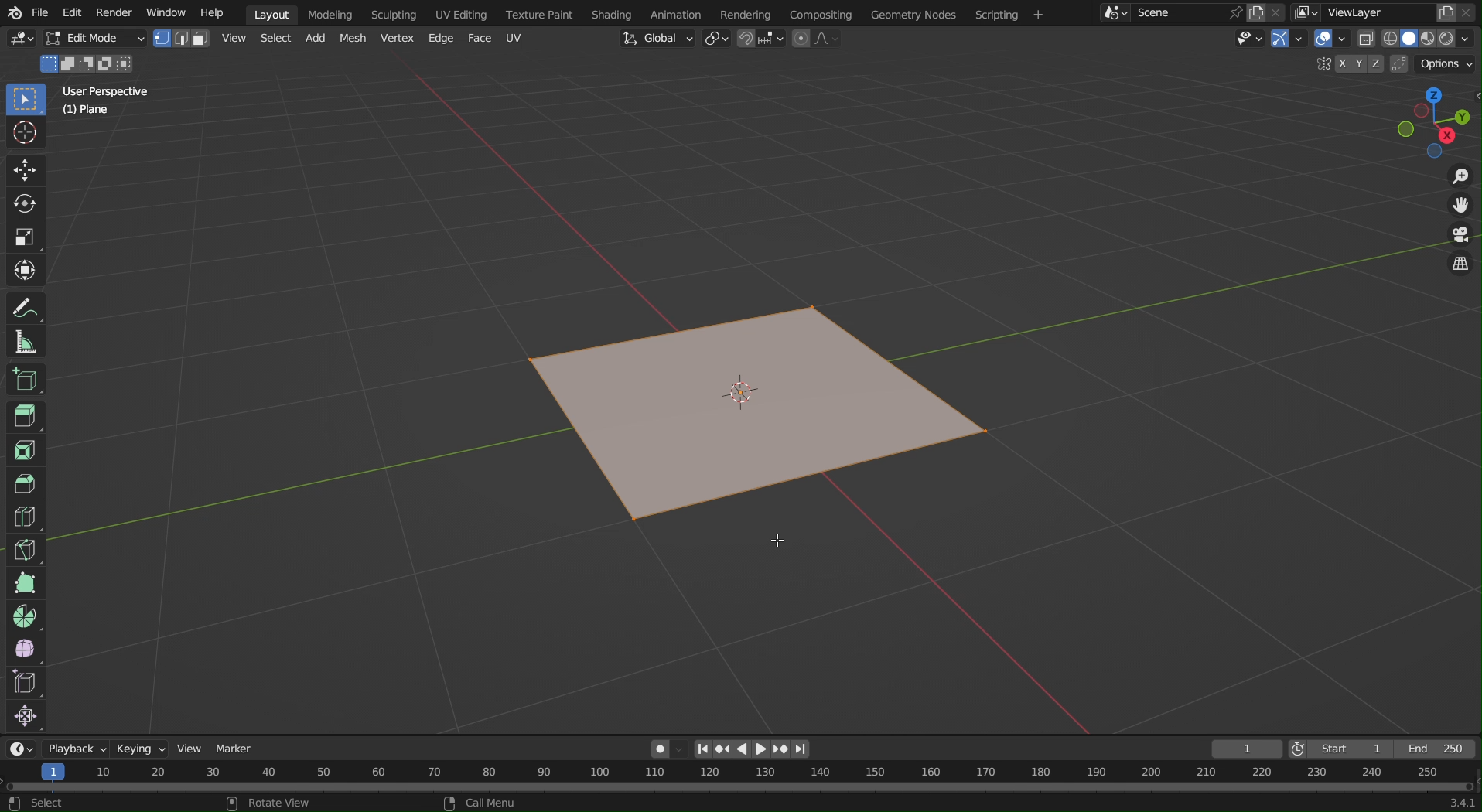 The width and height of the screenshot is (1482, 812). What do you see at coordinates (77, 749) in the screenshot?
I see `Playback` at bounding box center [77, 749].